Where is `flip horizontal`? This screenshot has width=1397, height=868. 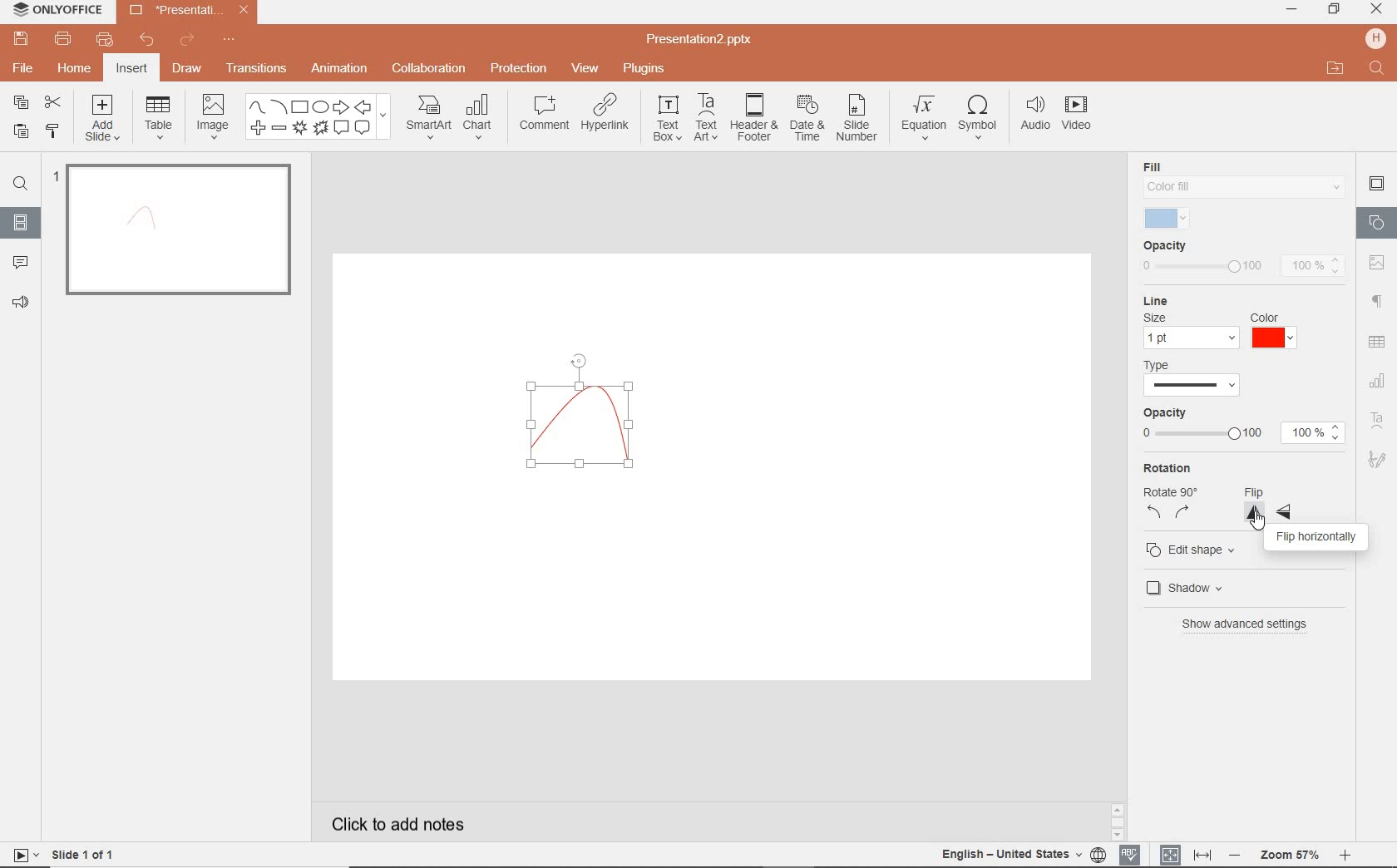
flip horizontal is located at coordinates (1289, 514).